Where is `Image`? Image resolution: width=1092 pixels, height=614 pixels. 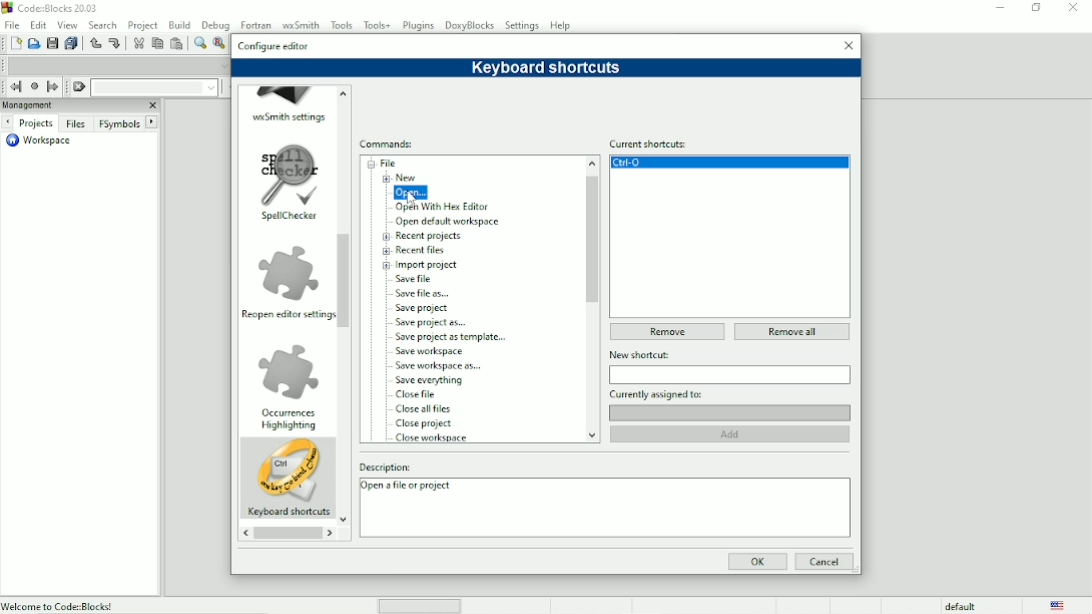
Image is located at coordinates (291, 369).